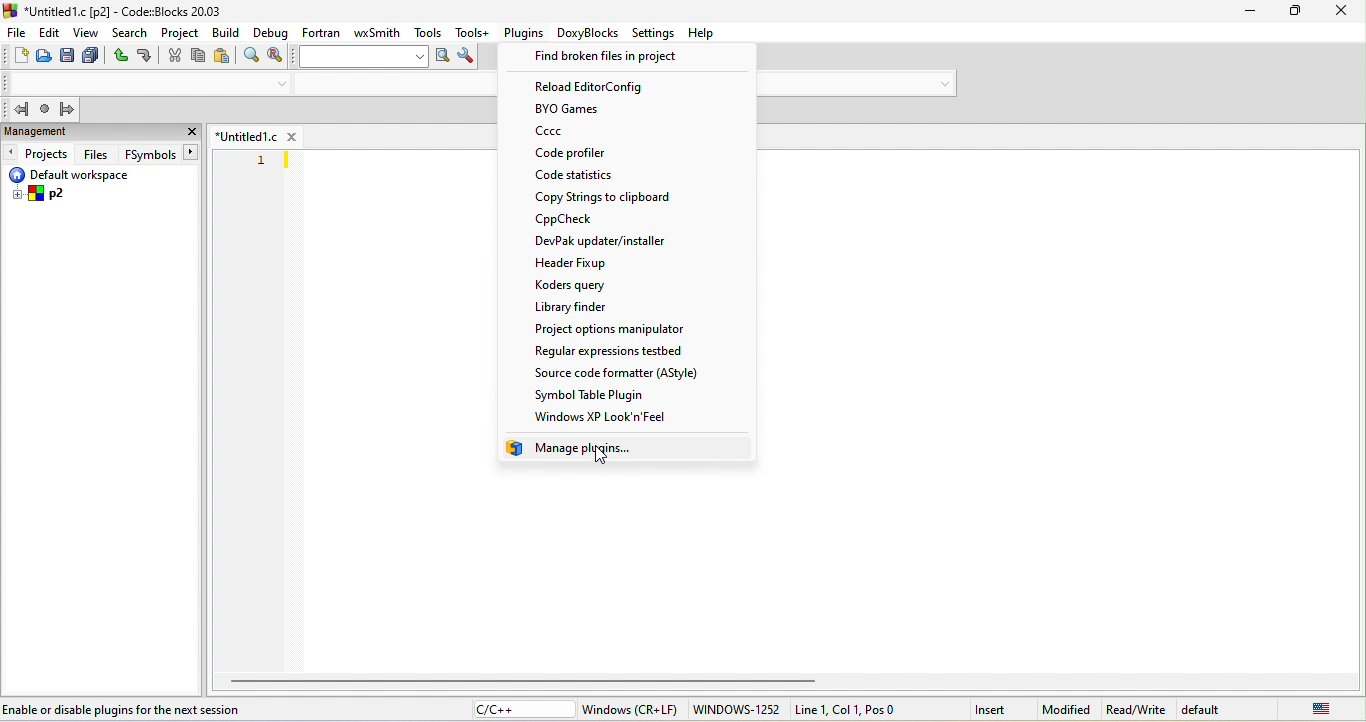 The width and height of the screenshot is (1366, 722). Describe the element at coordinates (472, 34) in the screenshot. I see `tools++` at that location.